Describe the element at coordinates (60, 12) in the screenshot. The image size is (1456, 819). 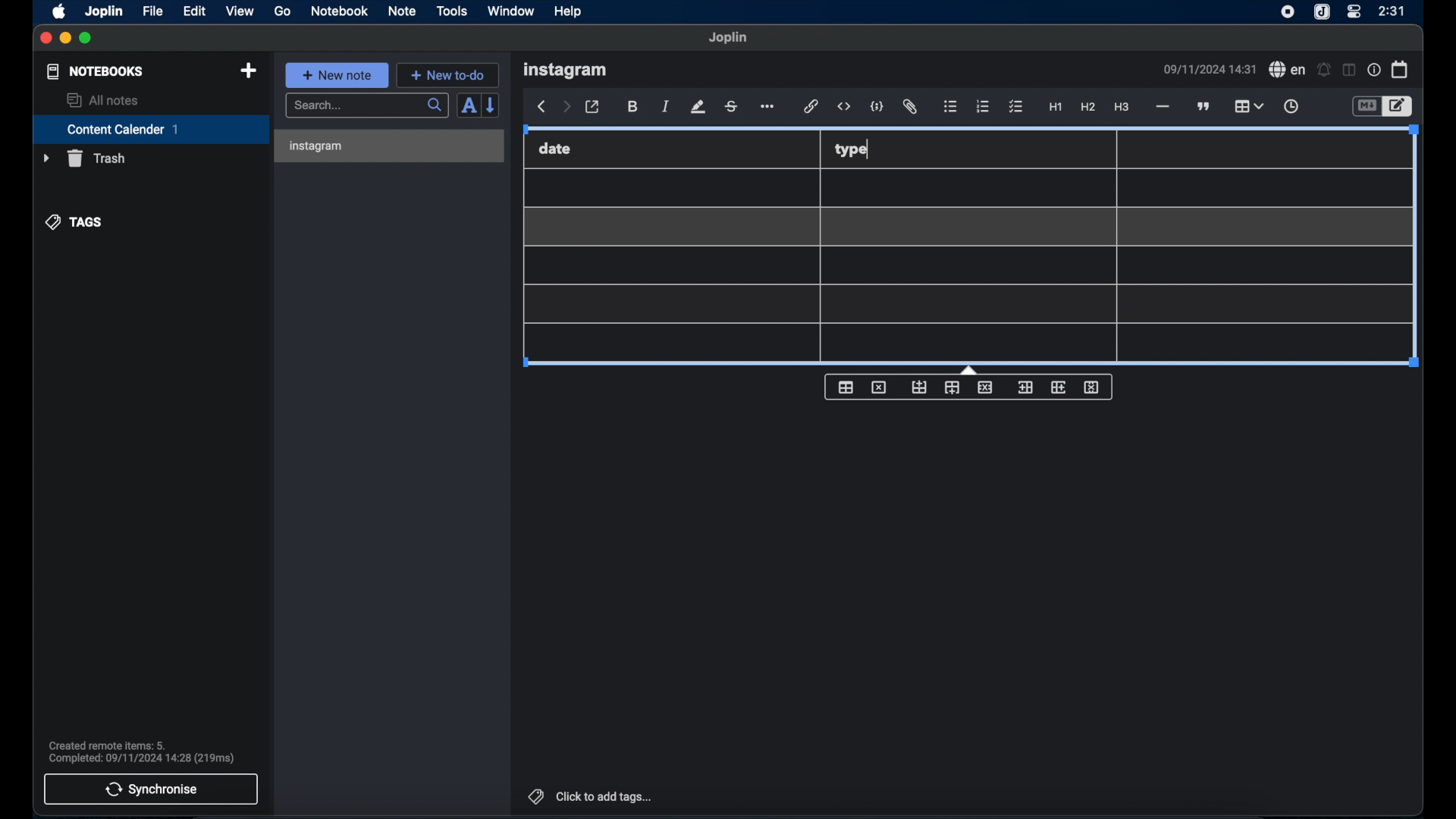
I see `apple icon` at that location.